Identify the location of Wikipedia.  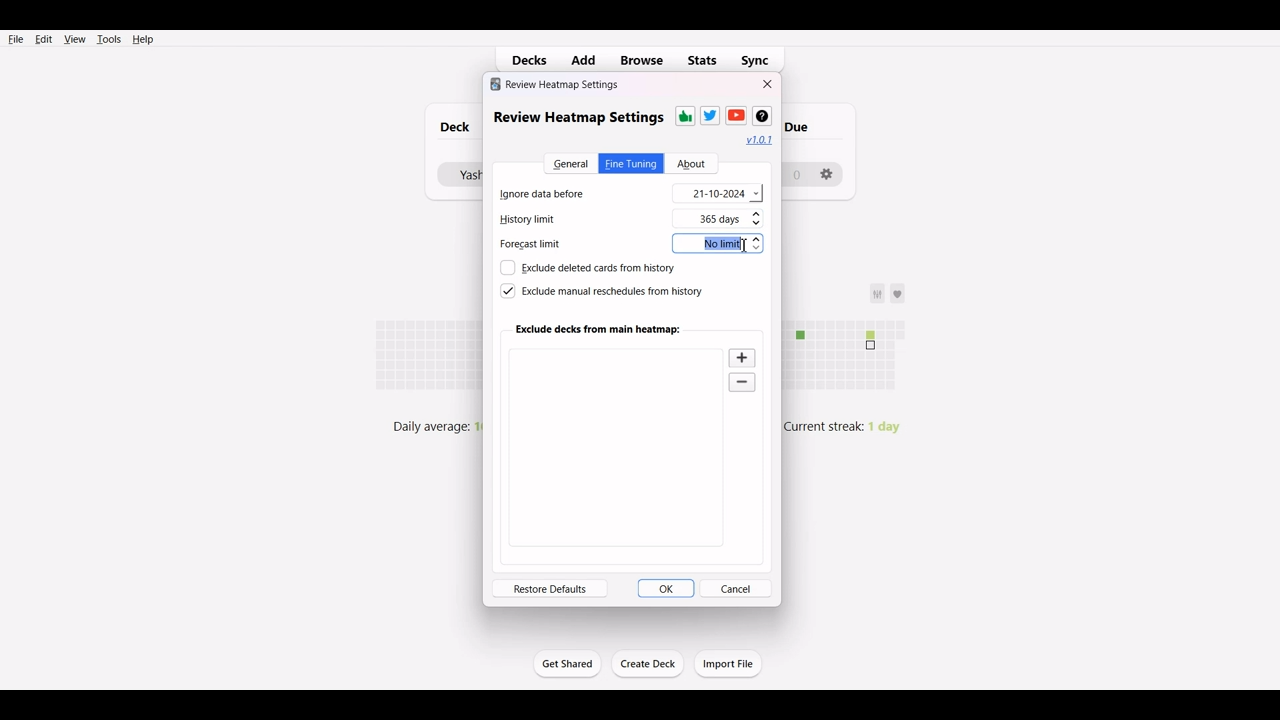
(761, 116).